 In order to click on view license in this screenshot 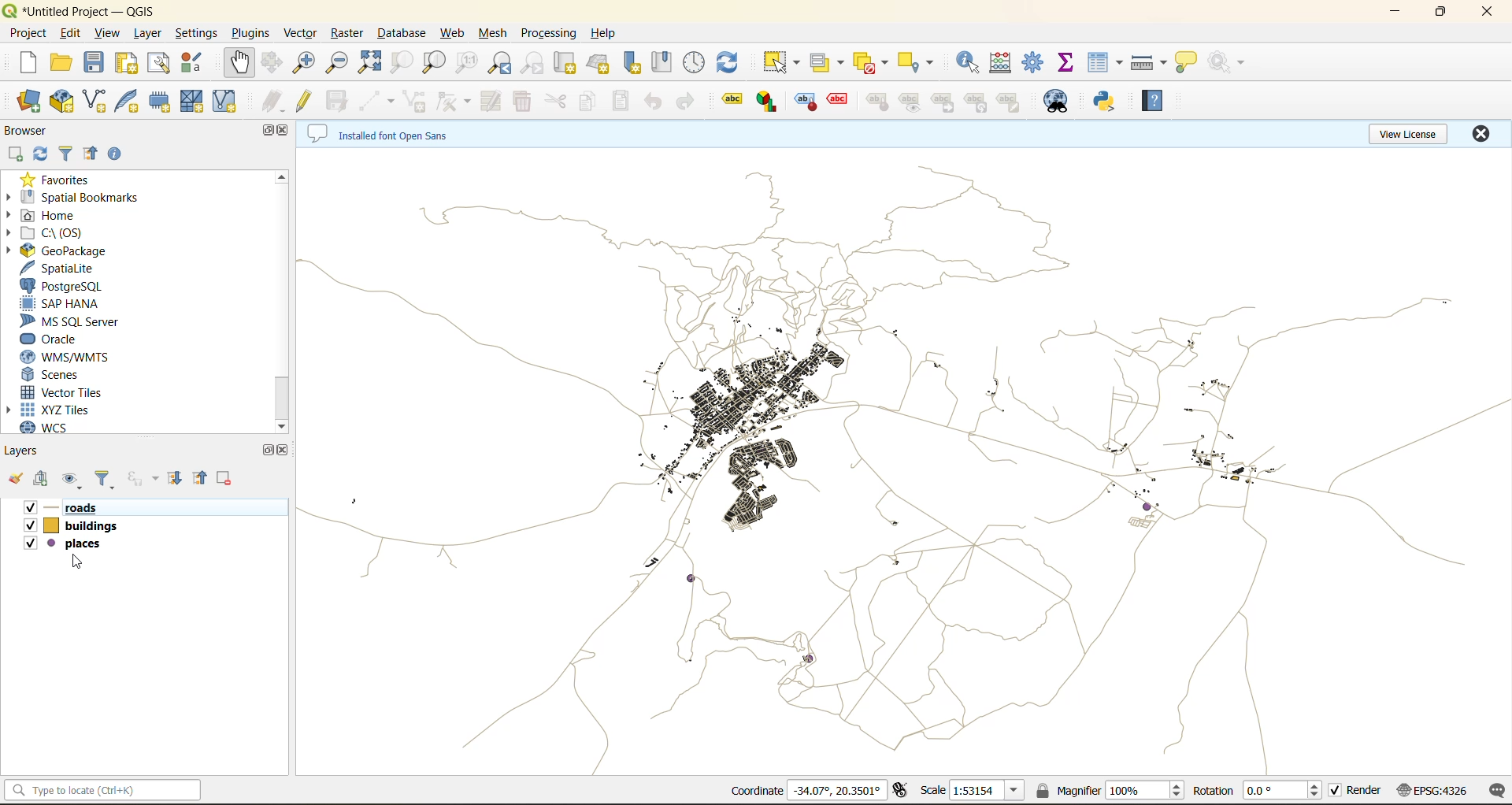, I will do `click(1408, 135)`.